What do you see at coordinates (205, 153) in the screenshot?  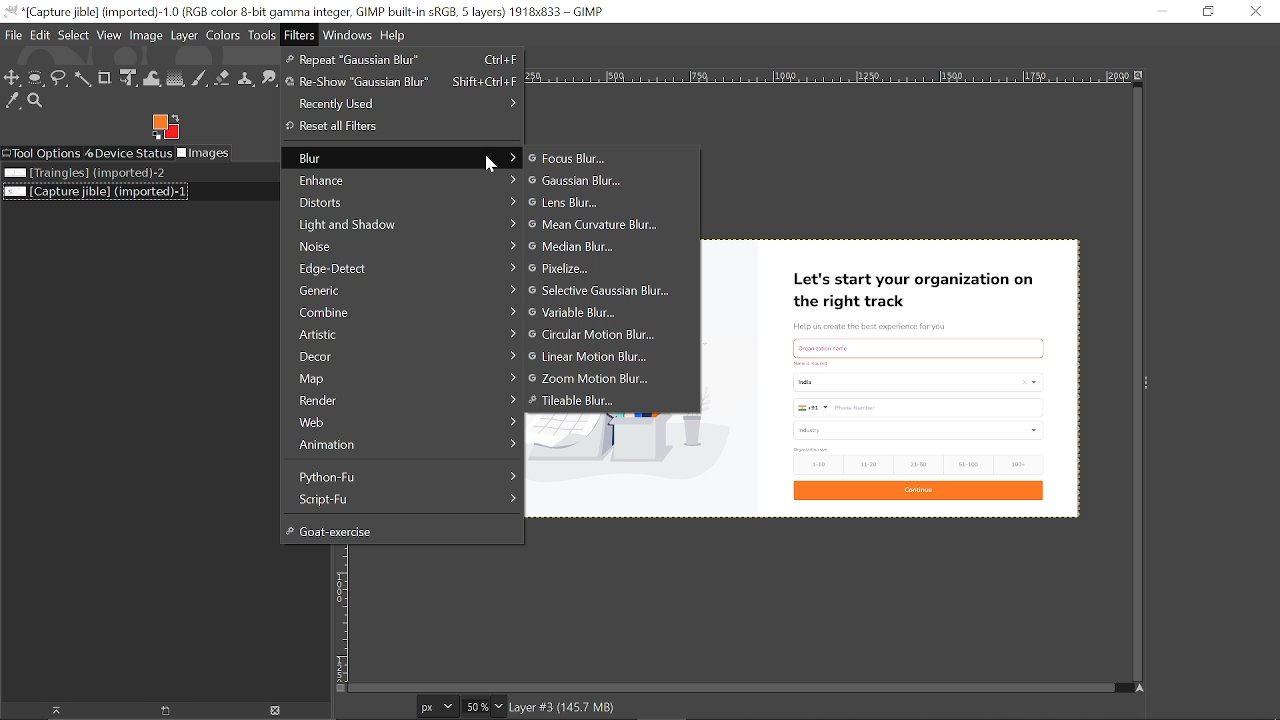 I see `Images` at bounding box center [205, 153].